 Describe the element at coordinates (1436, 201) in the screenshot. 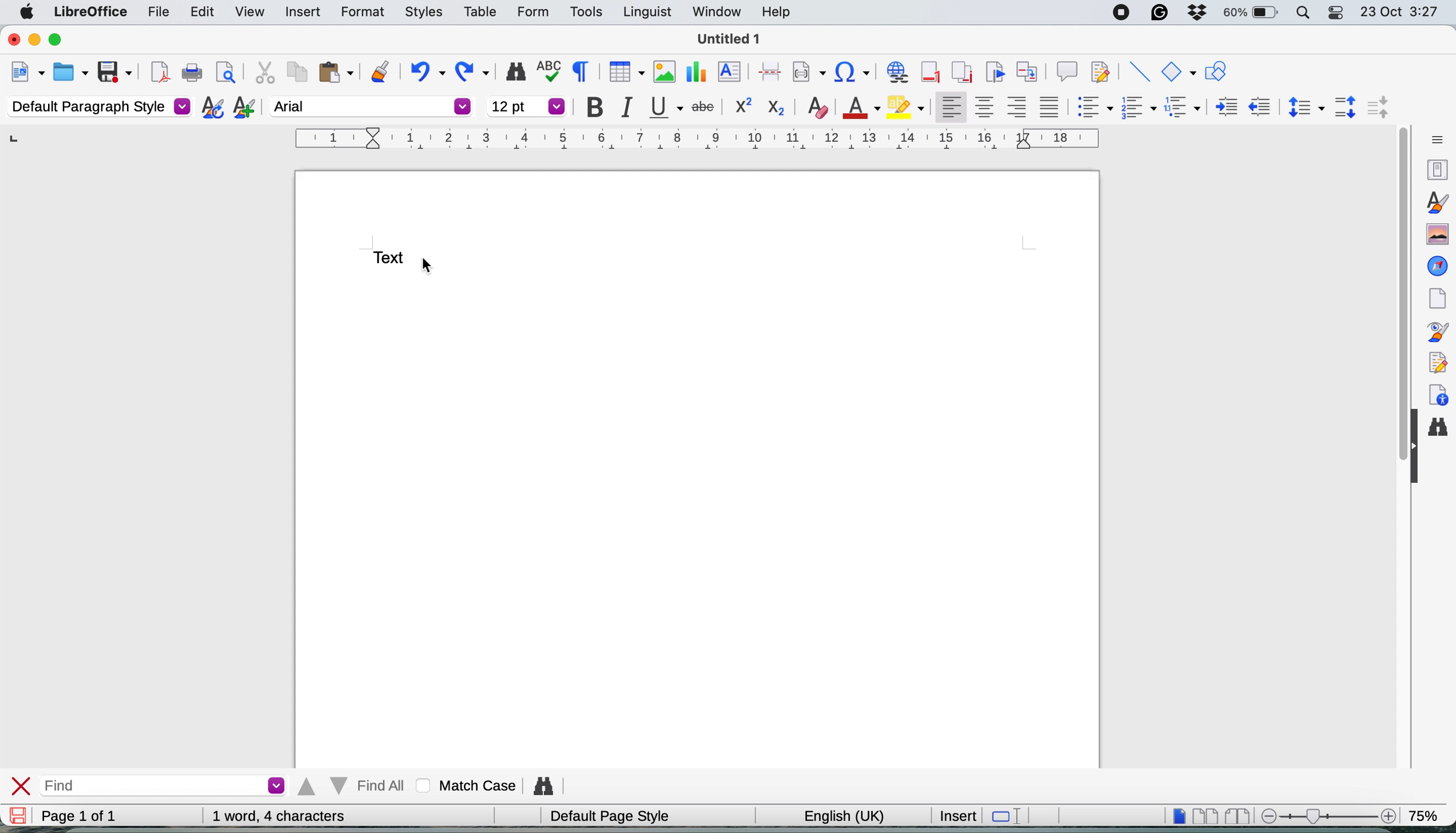

I see `styles` at that location.